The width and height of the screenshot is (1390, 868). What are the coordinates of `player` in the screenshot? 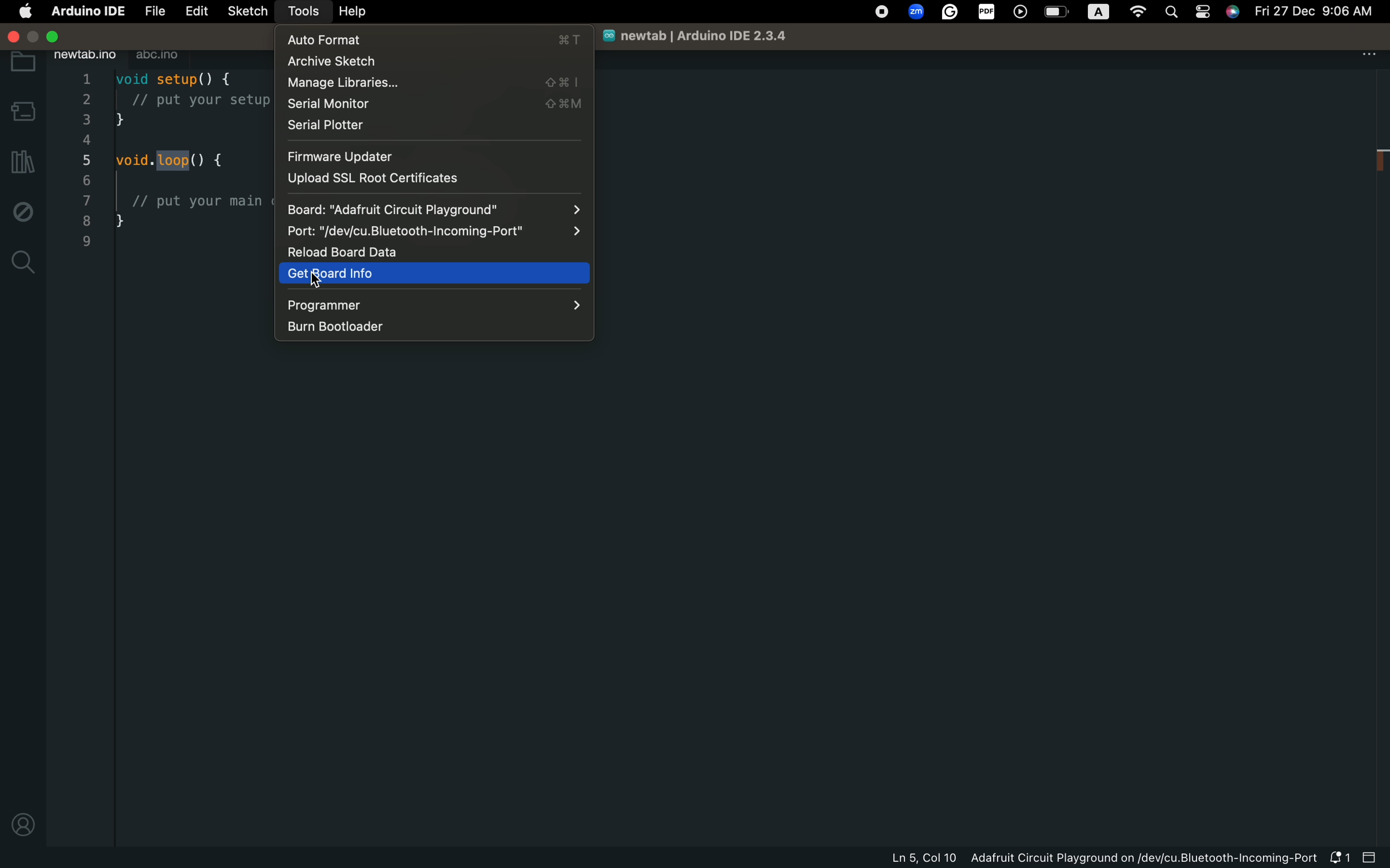 It's located at (1024, 11).